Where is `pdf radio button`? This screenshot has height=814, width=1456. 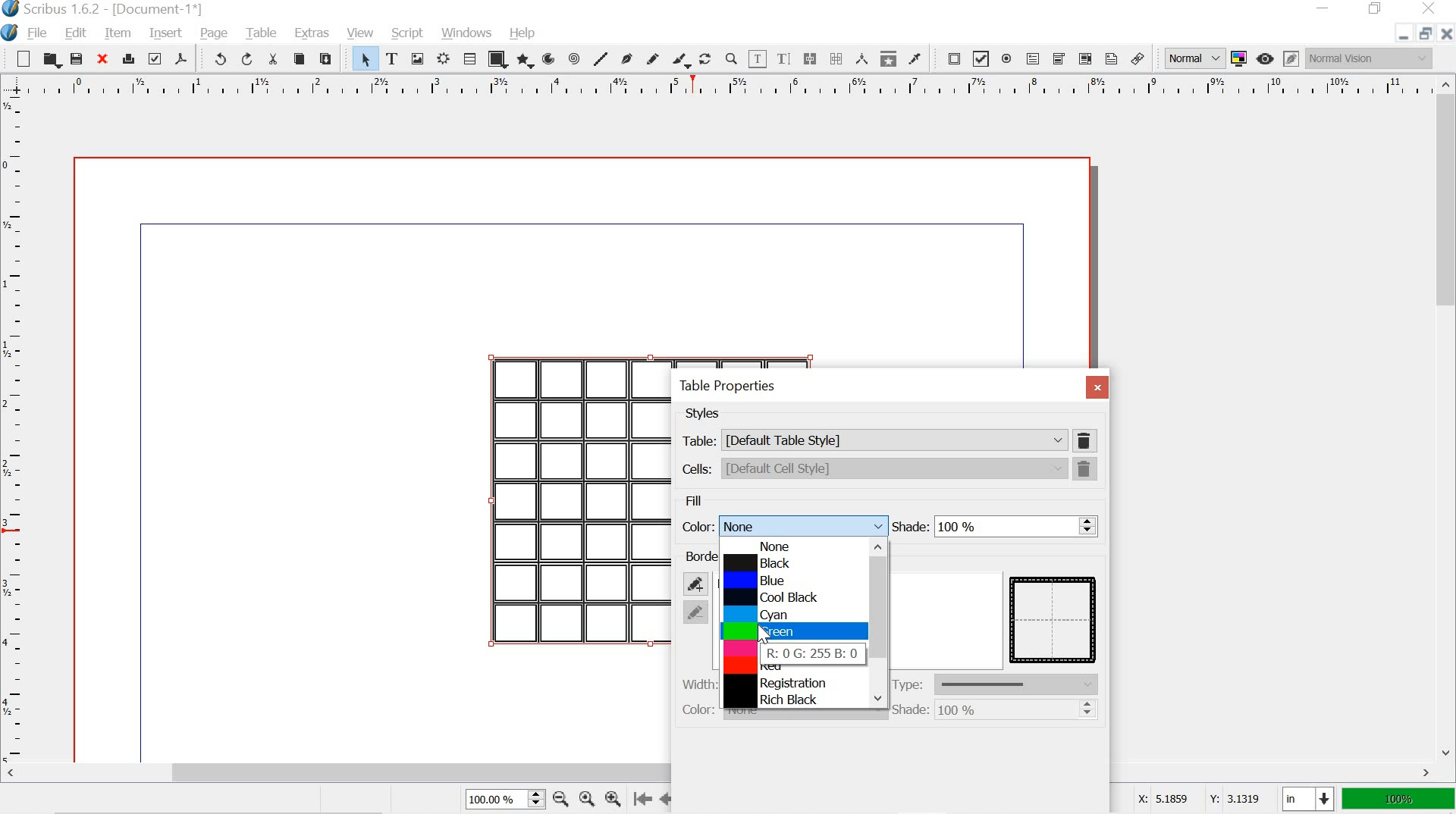
pdf radio button is located at coordinates (1006, 59).